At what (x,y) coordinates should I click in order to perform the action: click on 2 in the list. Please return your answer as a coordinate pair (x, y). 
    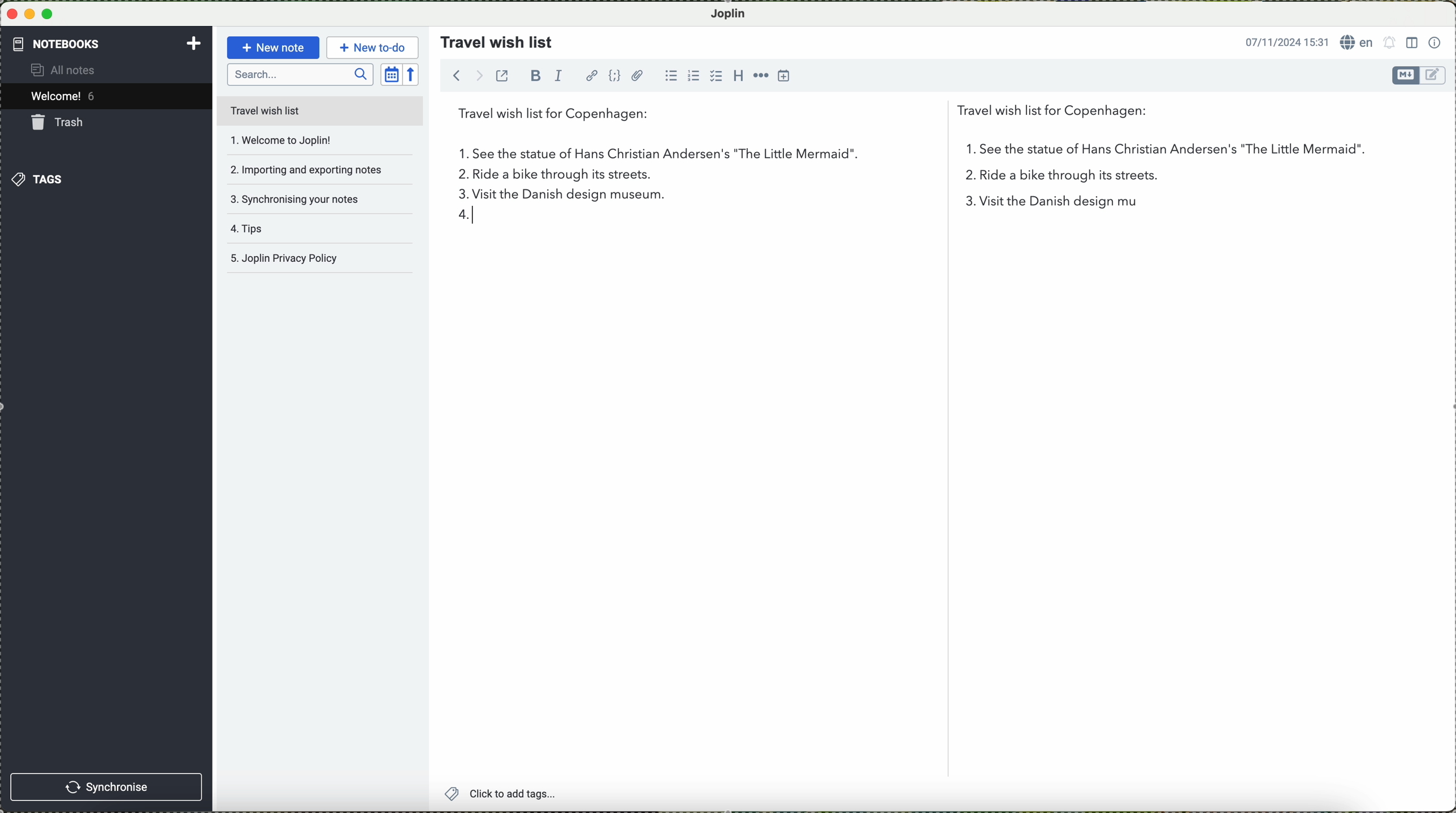
    Looking at the image, I should click on (1037, 178).